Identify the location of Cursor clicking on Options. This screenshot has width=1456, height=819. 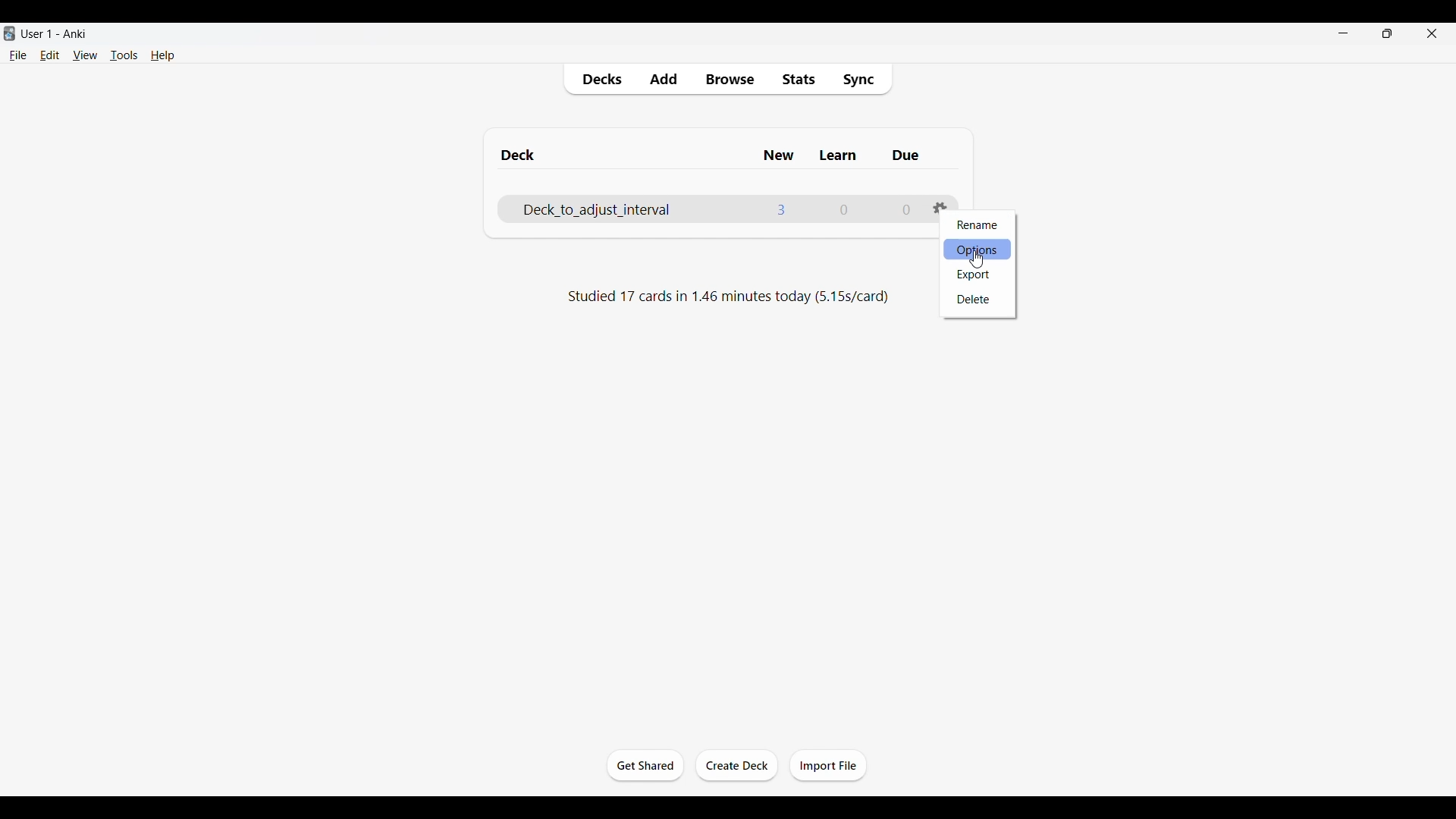
(977, 260).